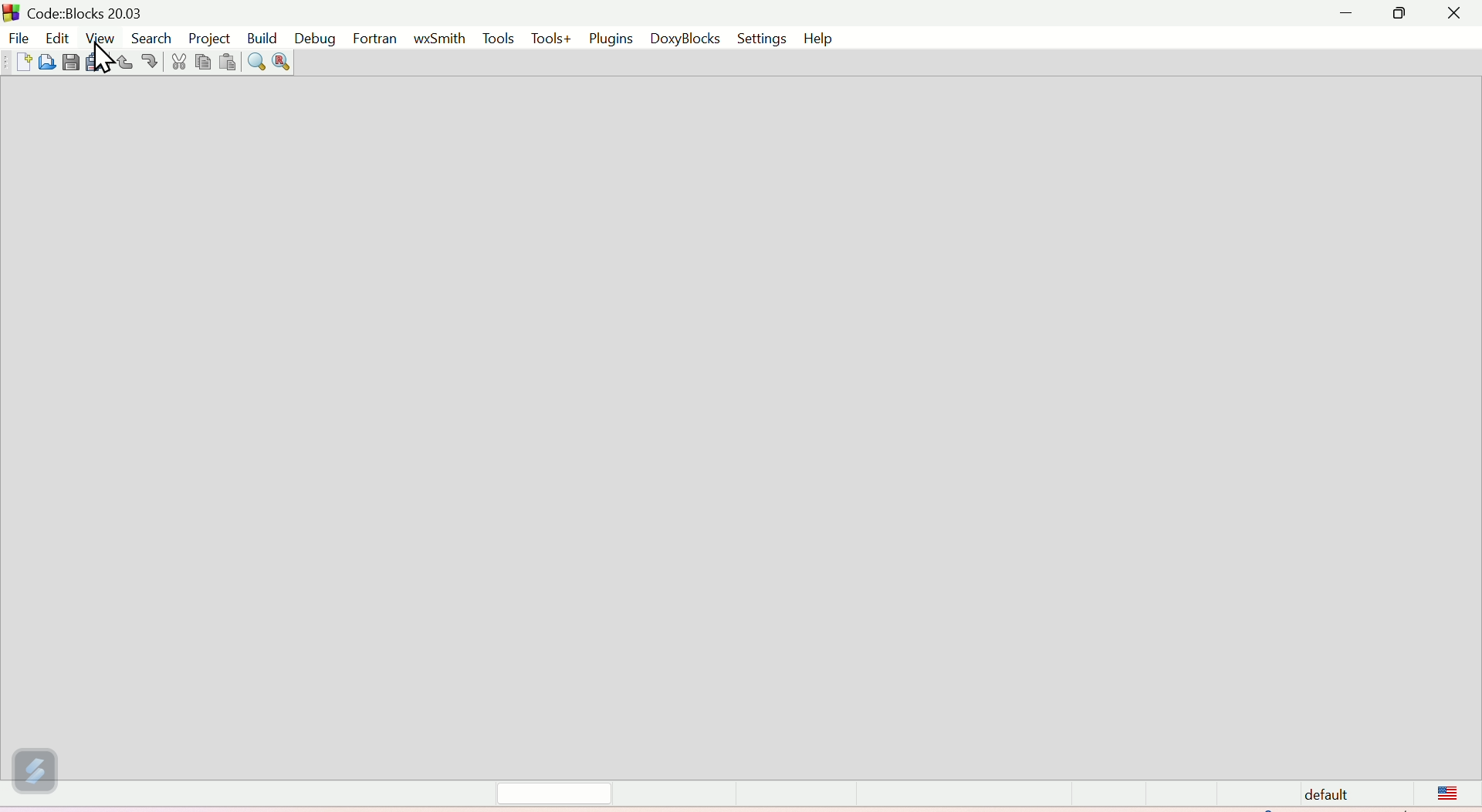  I want to click on paste, so click(227, 59).